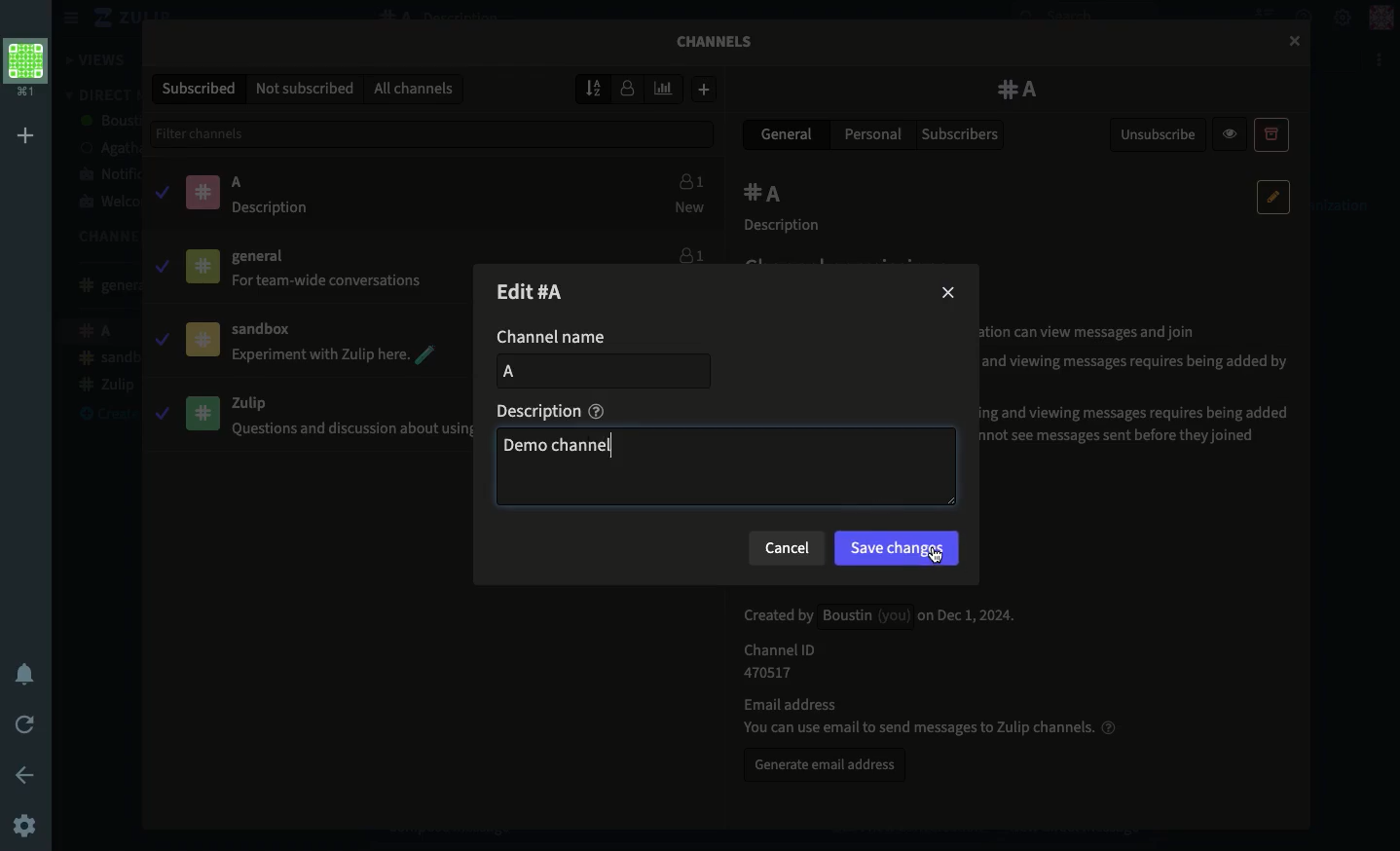 This screenshot has width=1400, height=851. Describe the element at coordinates (688, 195) in the screenshot. I see `Users` at that location.